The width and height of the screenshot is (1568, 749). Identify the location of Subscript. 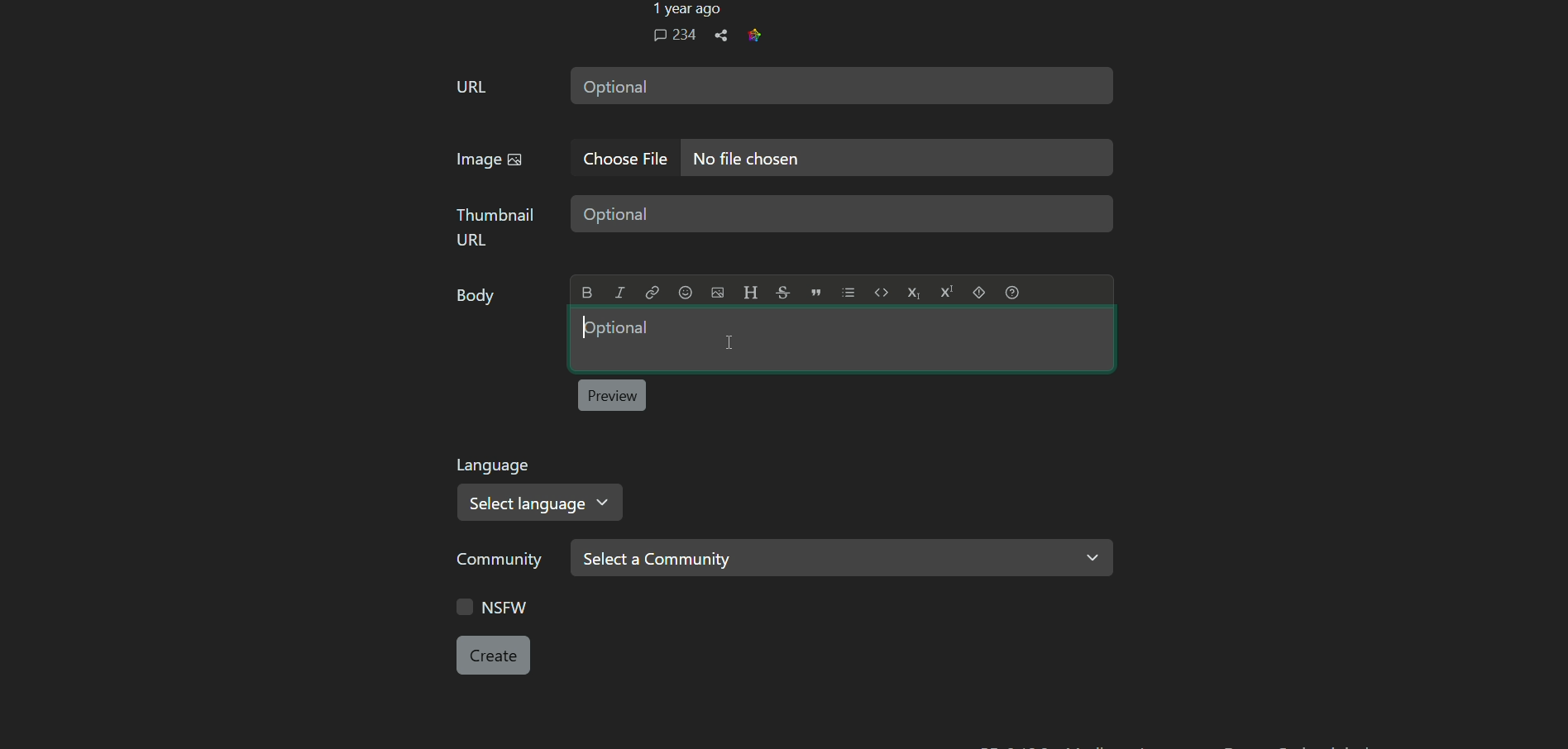
(913, 293).